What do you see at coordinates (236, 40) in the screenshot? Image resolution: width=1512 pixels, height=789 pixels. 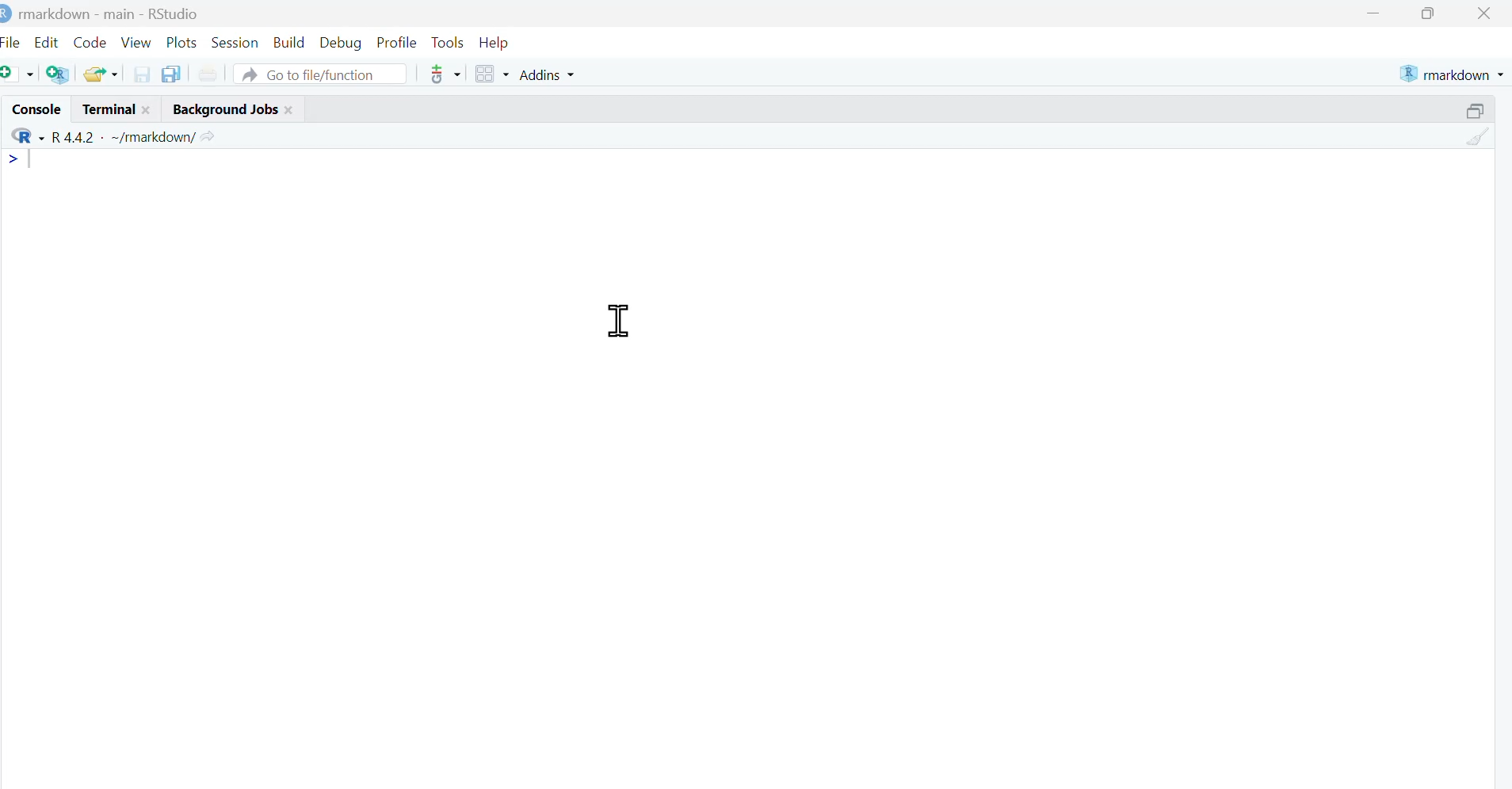 I see `Session` at bounding box center [236, 40].